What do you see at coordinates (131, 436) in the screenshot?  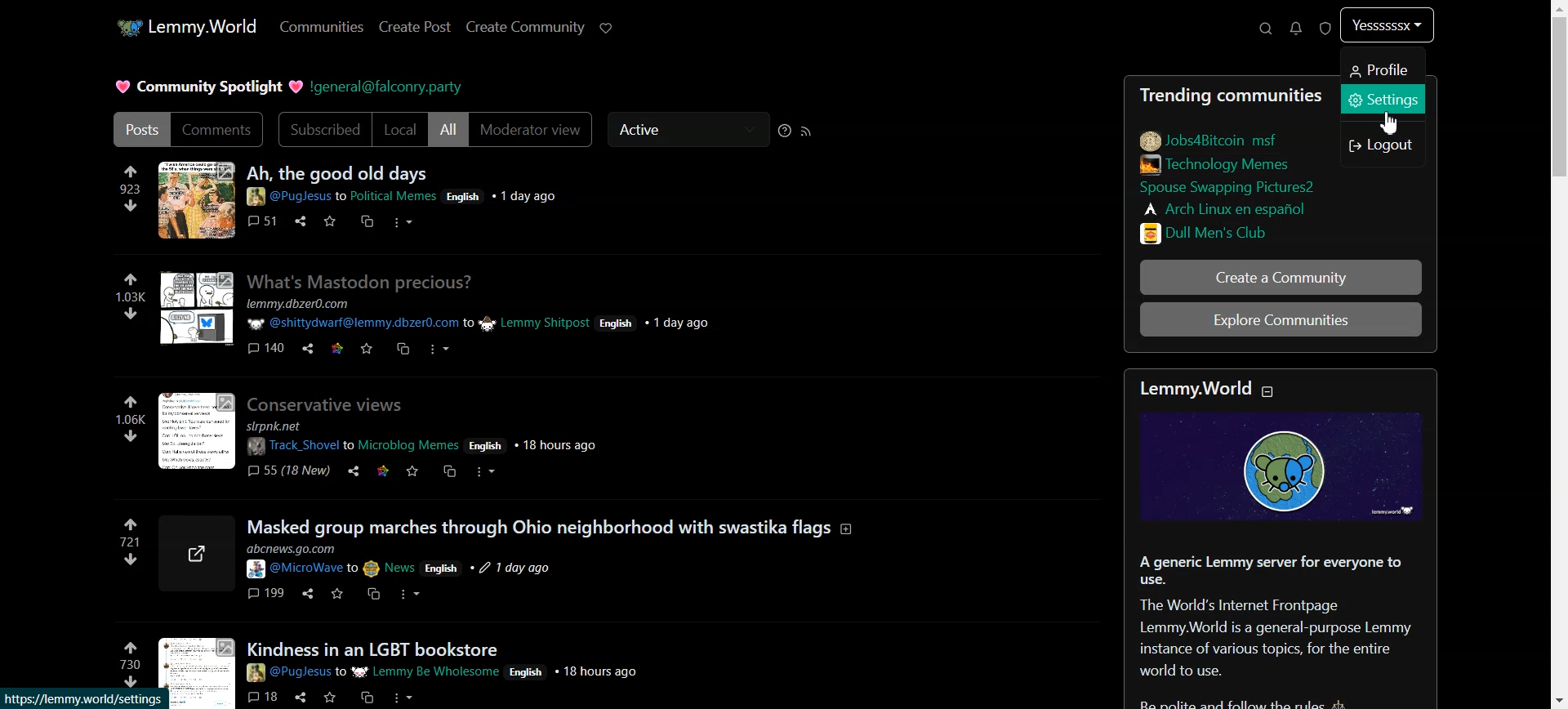 I see `downvote` at bounding box center [131, 436].